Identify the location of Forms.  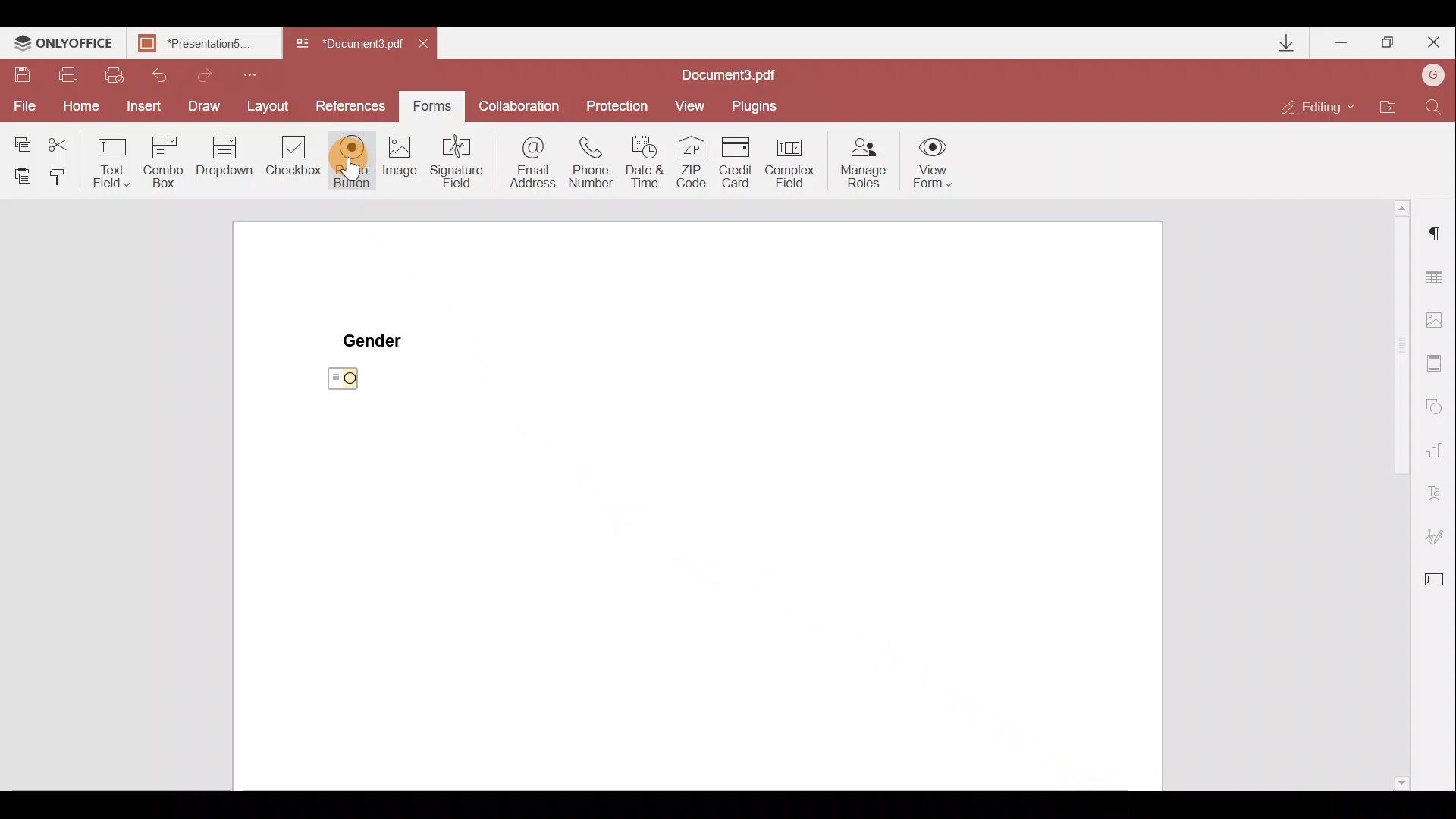
(436, 106).